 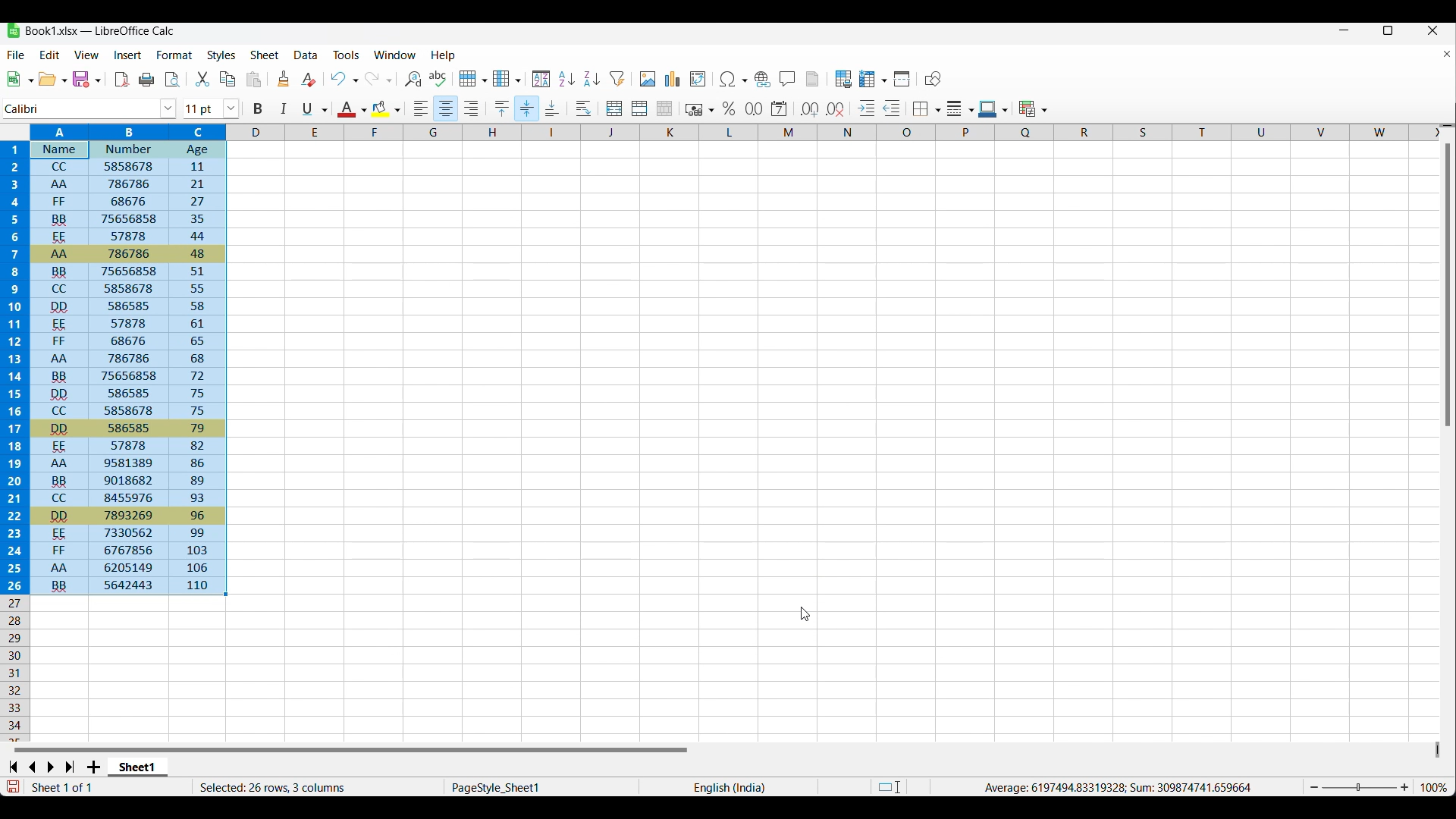 I want to click on Spell check, so click(x=438, y=78).